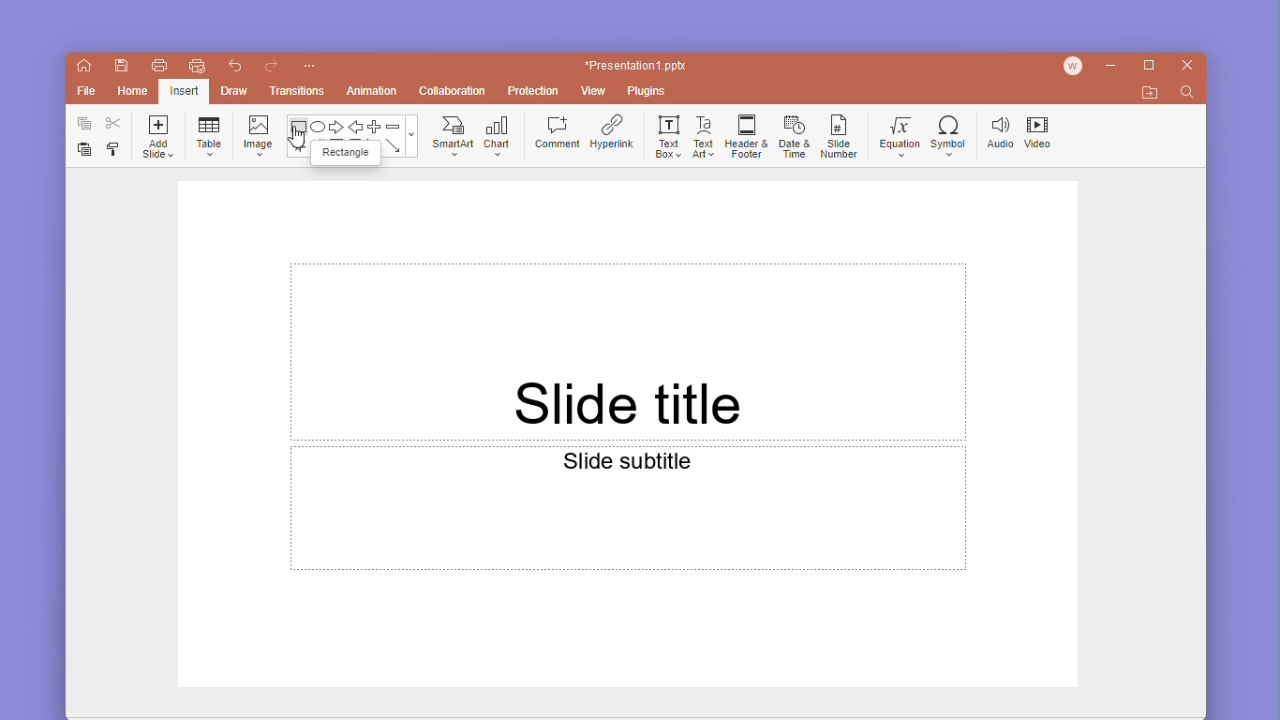 Image resolution: width=1280 pixels, height=720 pixels. Describe the element at coordinates (628, 509) in the screenshot. I see `slide subtitle text` at that location.